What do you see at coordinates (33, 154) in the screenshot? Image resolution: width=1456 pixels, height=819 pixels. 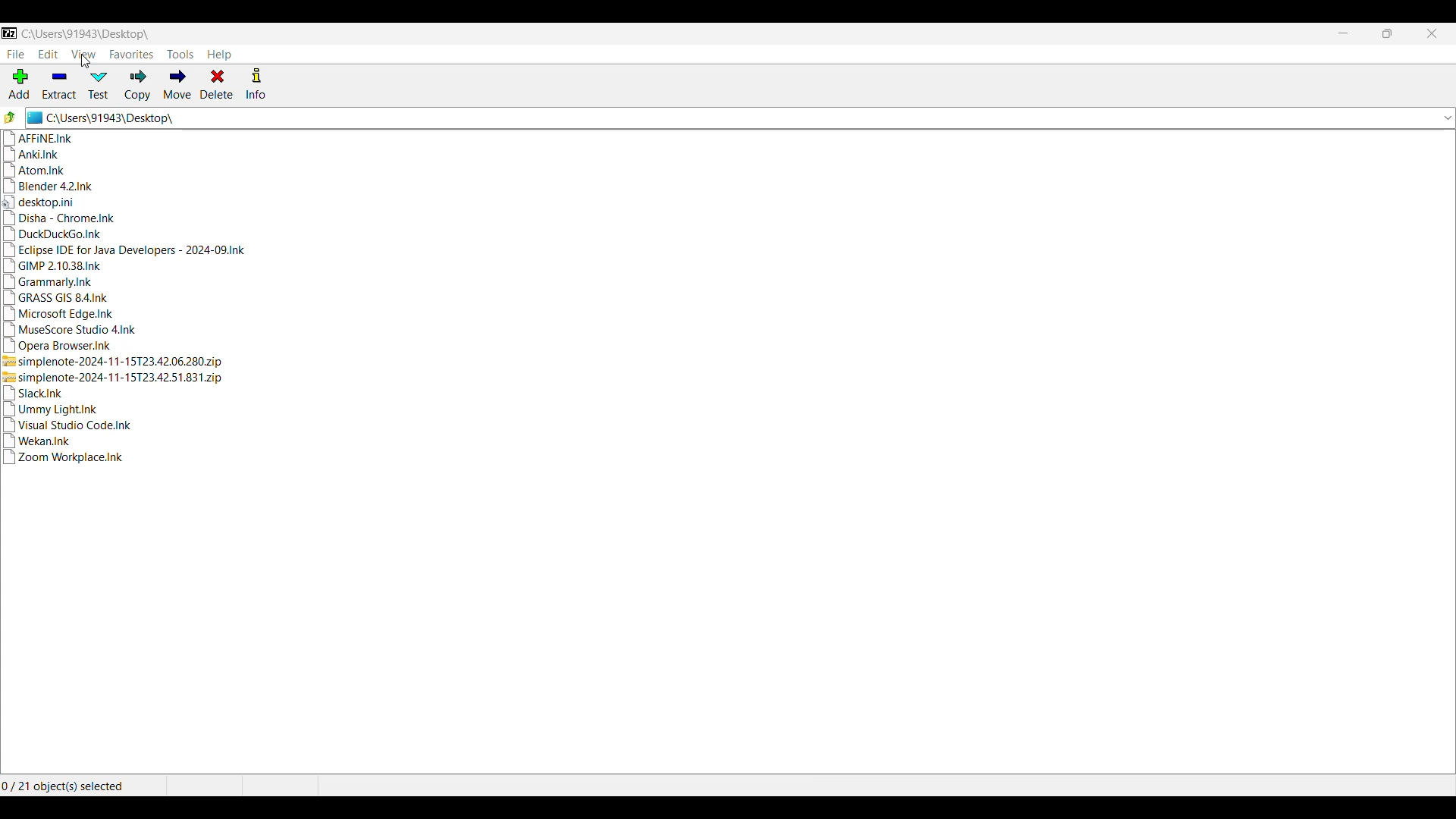 I see `Anki.Ink` at bounding box center [33, 154].